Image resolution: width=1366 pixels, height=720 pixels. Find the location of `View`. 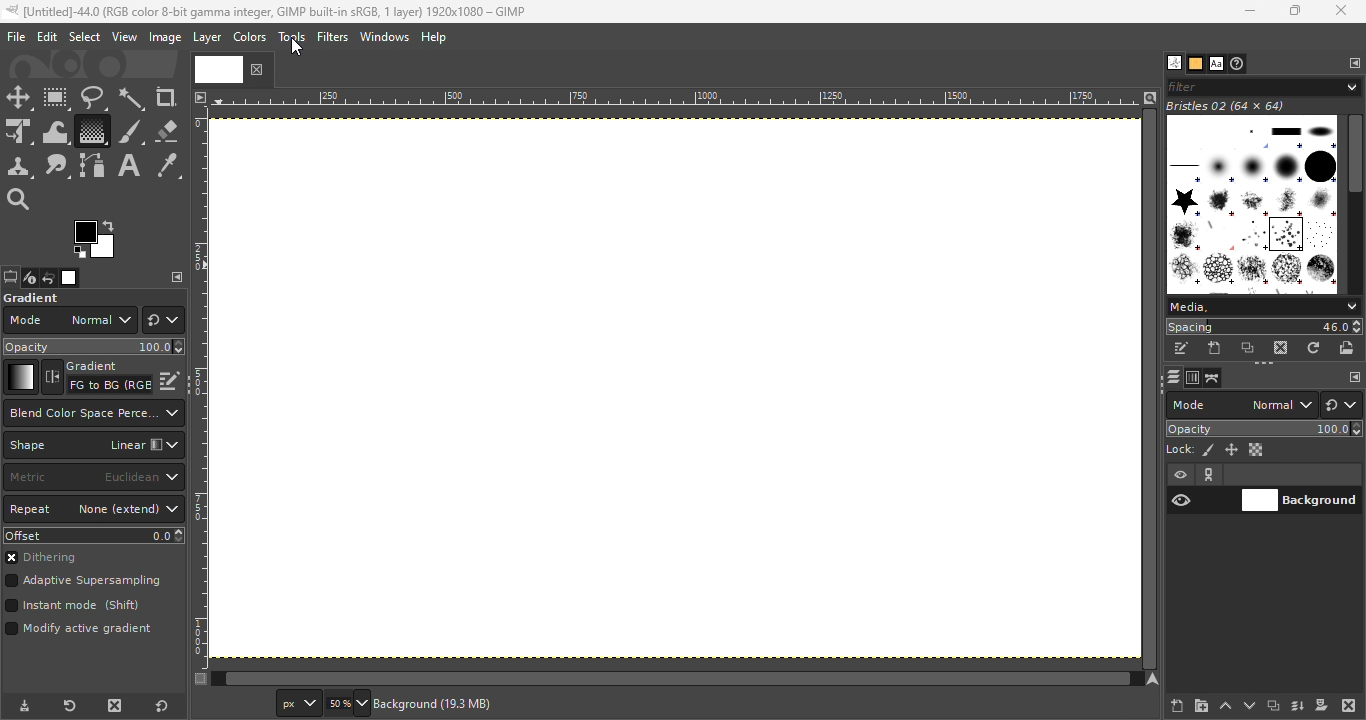

View is located at coordinates (125, 37).